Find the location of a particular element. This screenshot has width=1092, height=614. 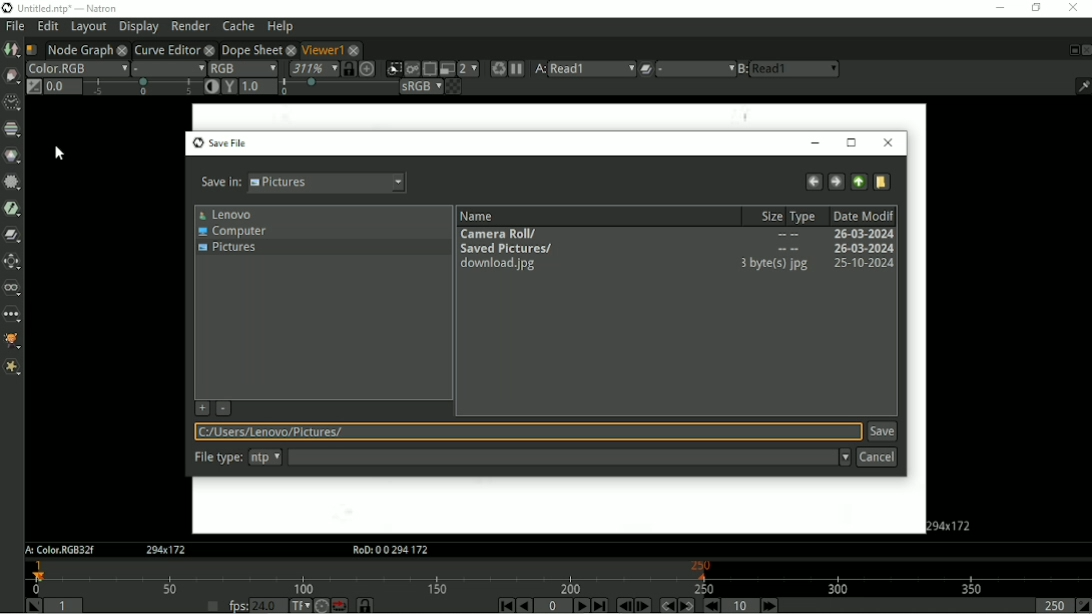

Enables region of interest that limits the portion of the viewer that is kept udpdated  is located at coordinates (429, 68).